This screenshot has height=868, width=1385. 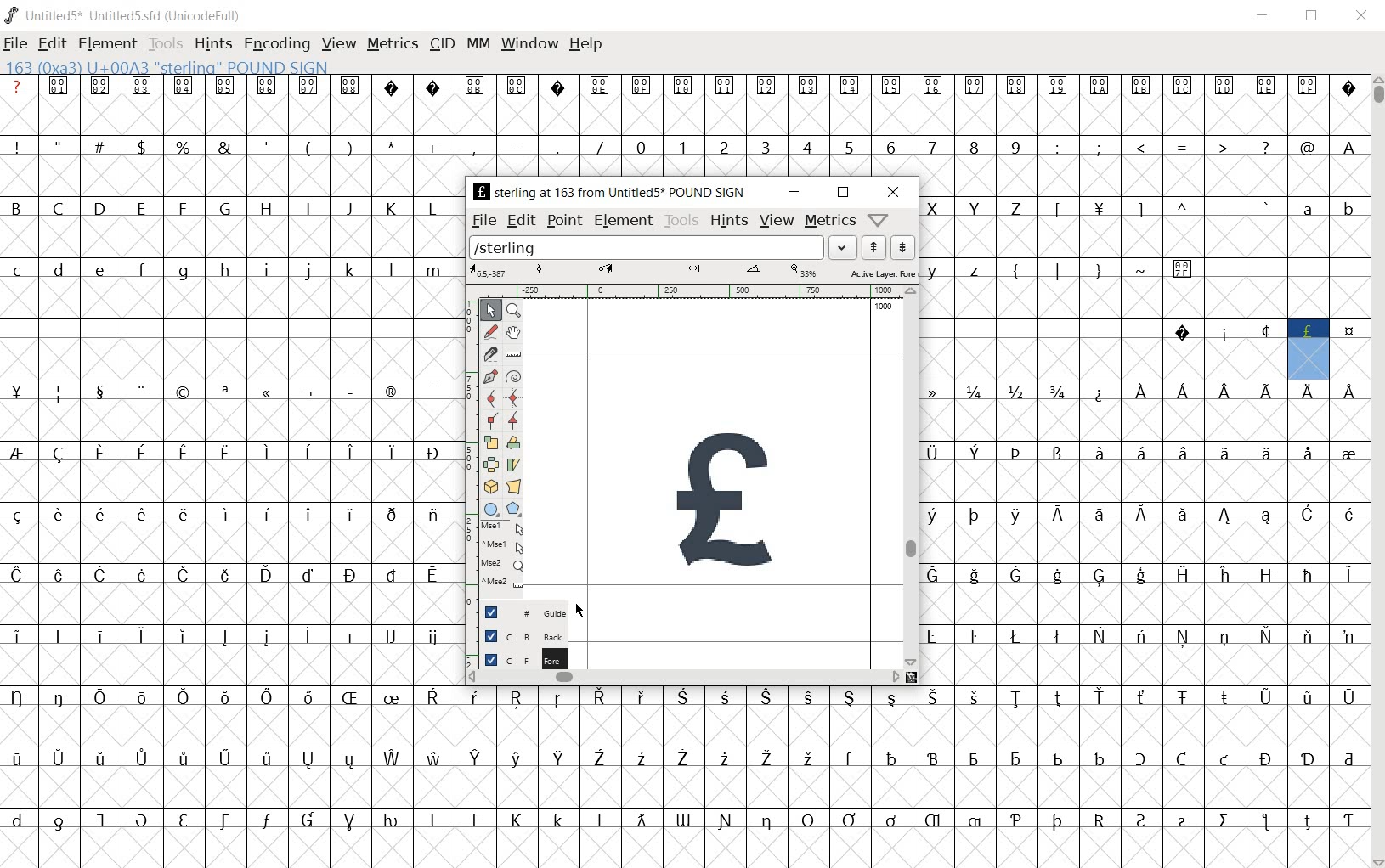 I want to click on Symbol, so click(x=724, y=759).